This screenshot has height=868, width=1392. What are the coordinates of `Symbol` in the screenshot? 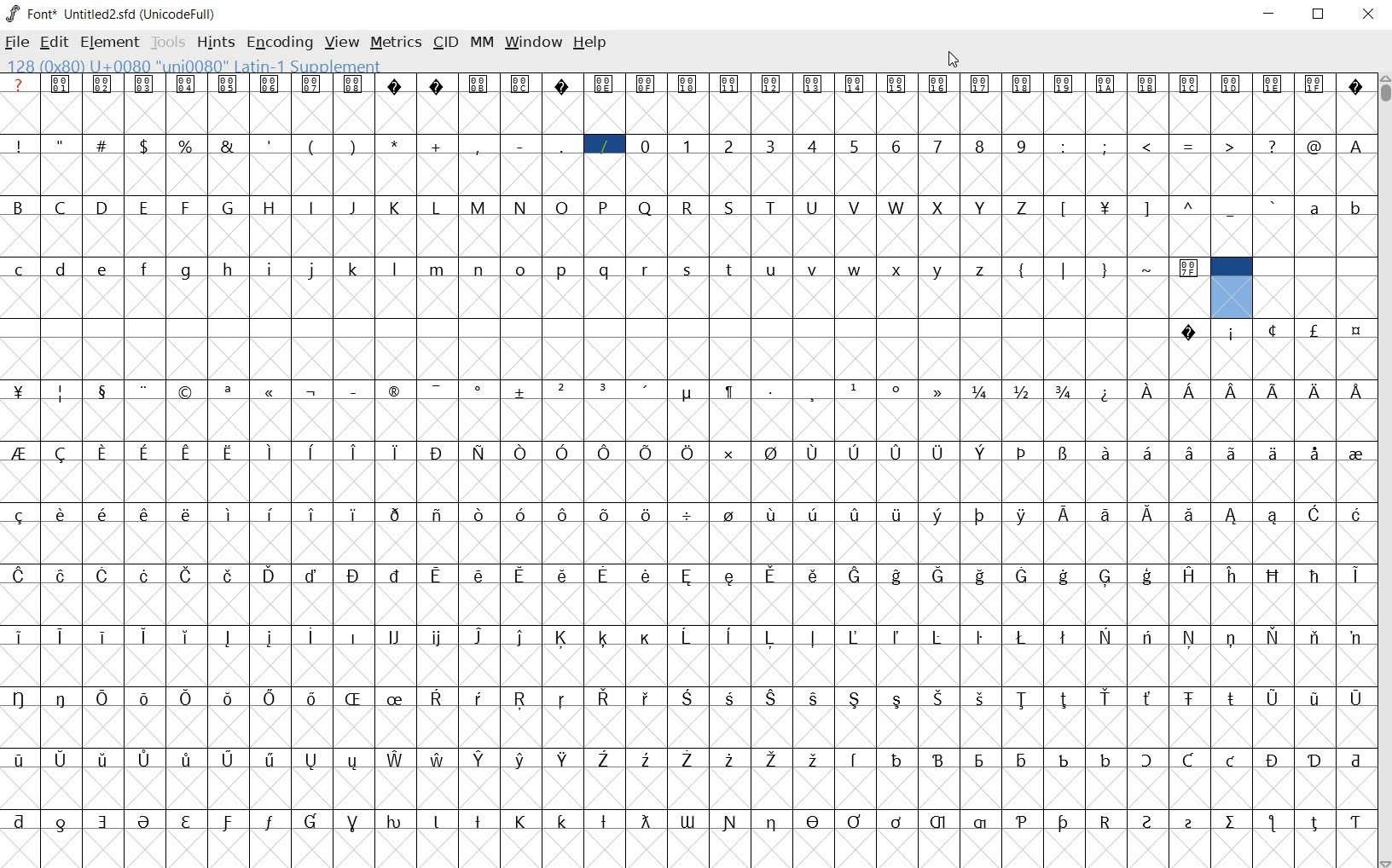 It's located at (979, 823).